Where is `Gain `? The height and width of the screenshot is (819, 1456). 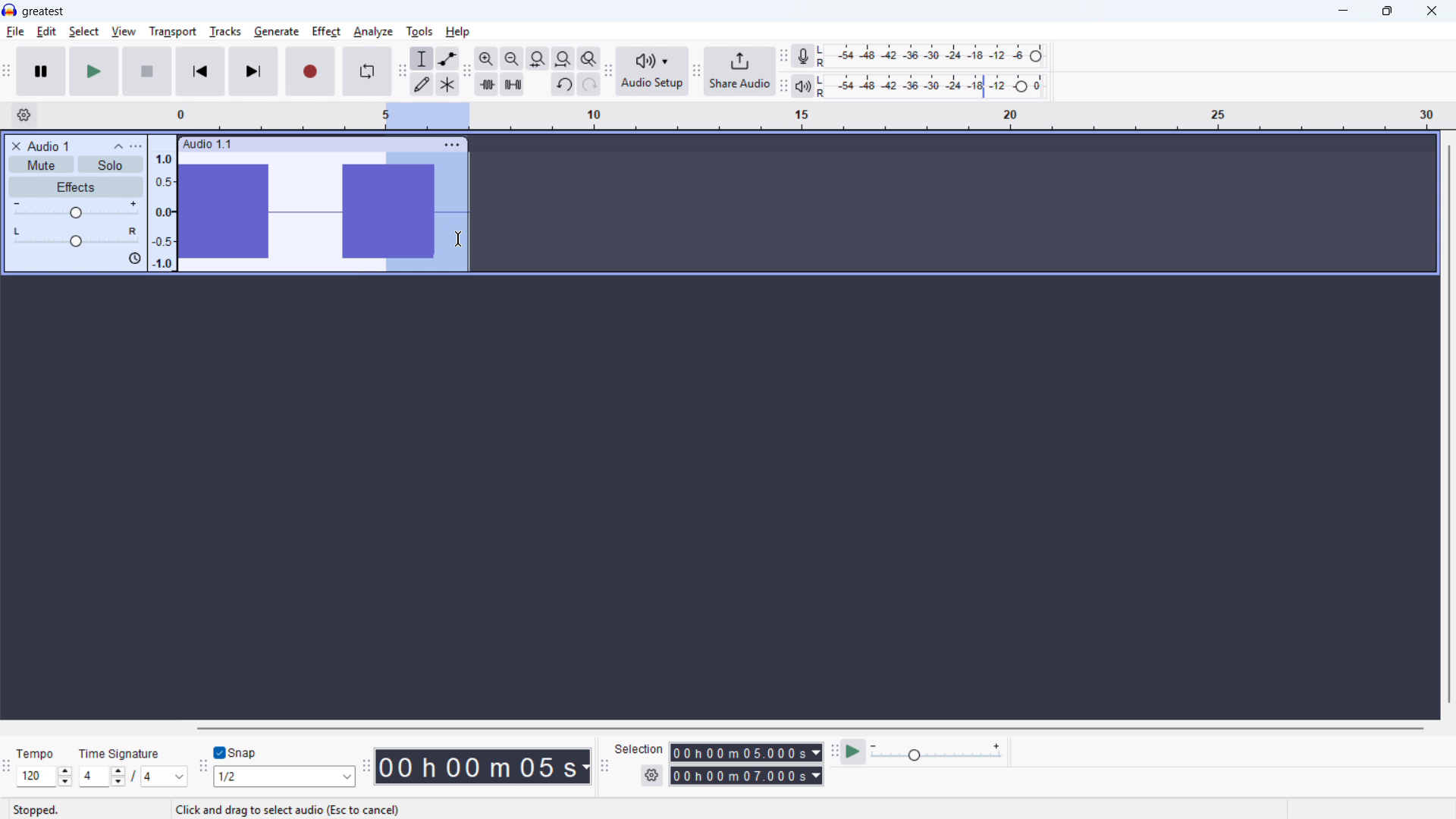
Gain  is located at coordinates (76, 211).